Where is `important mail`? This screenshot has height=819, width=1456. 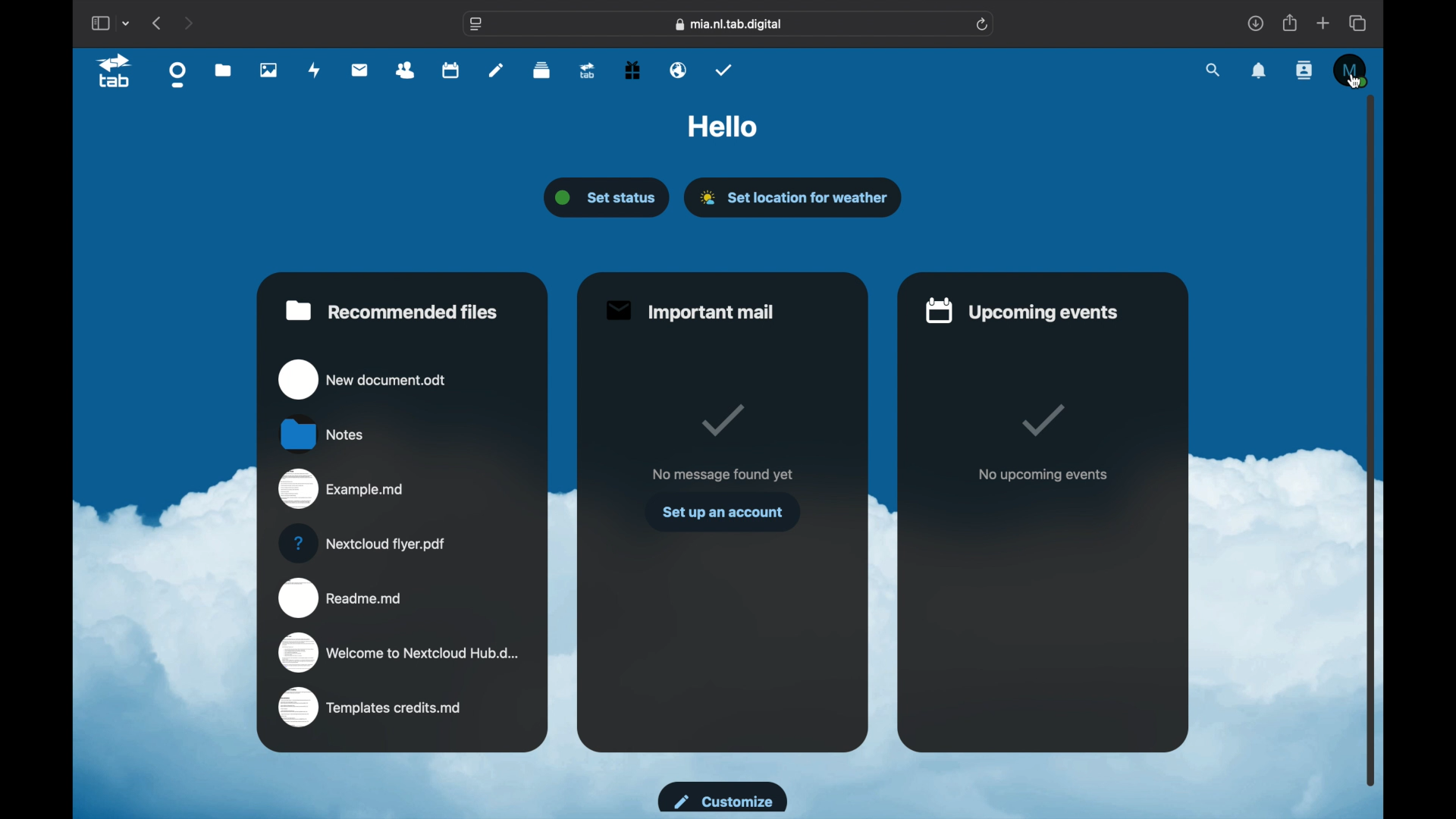 important mail is located at coordinates (689, 311).